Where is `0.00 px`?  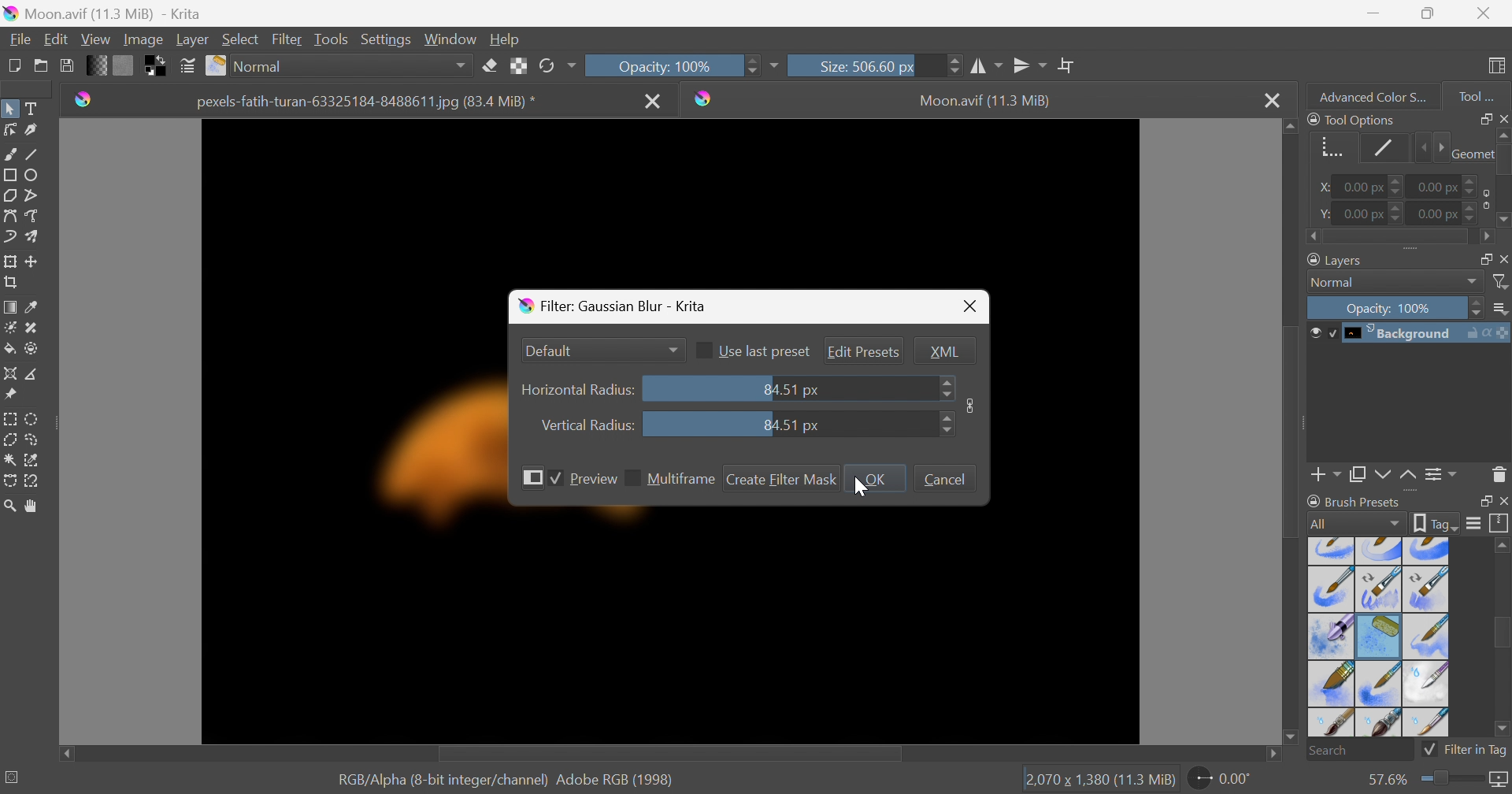 0.00 px is located at coordinates (1449, 184).